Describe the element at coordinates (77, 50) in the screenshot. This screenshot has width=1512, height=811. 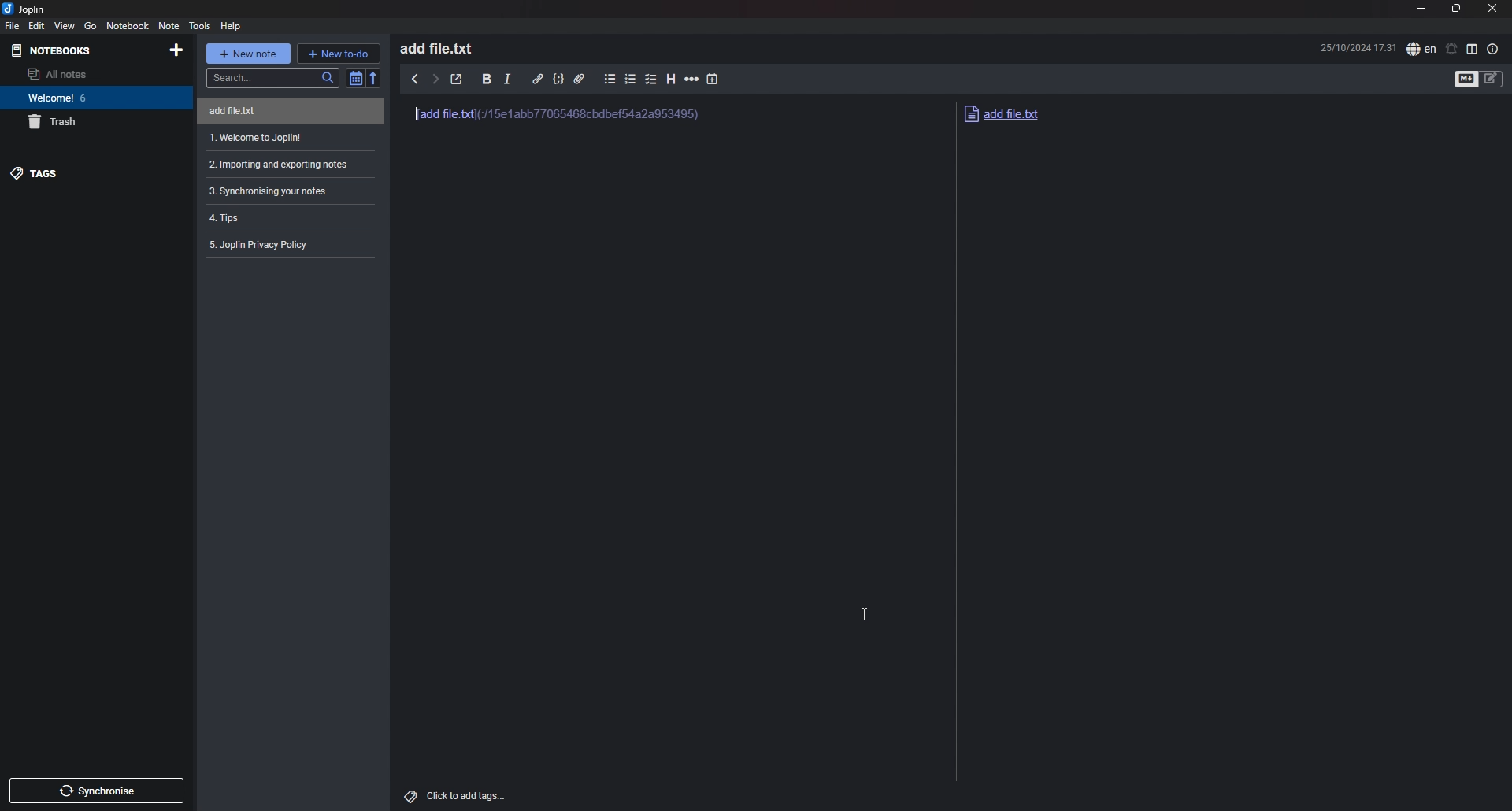
I see `notebooks` at that location.